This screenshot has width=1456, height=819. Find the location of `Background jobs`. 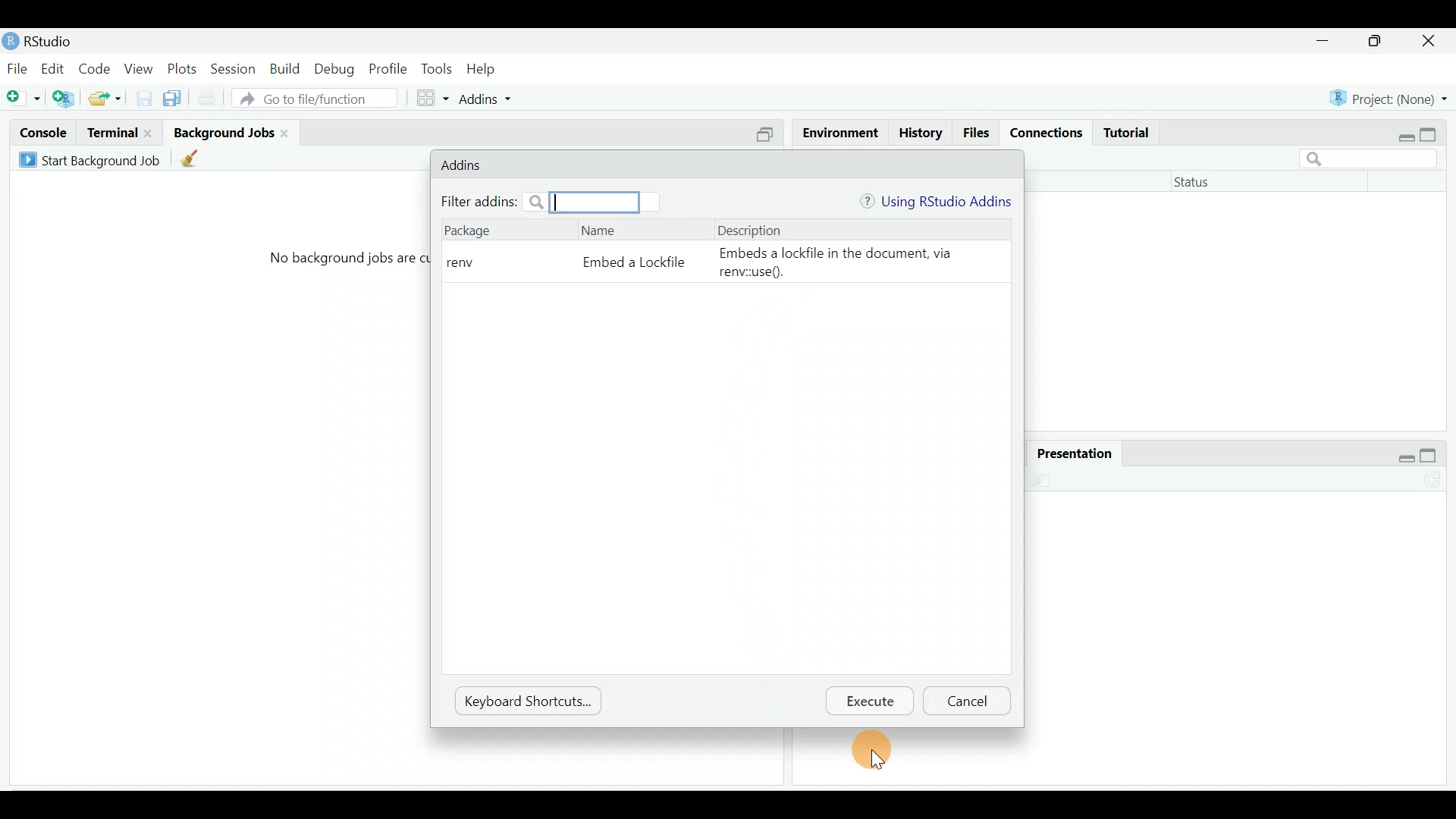

Background jobs is located at coordinates (224, 132).